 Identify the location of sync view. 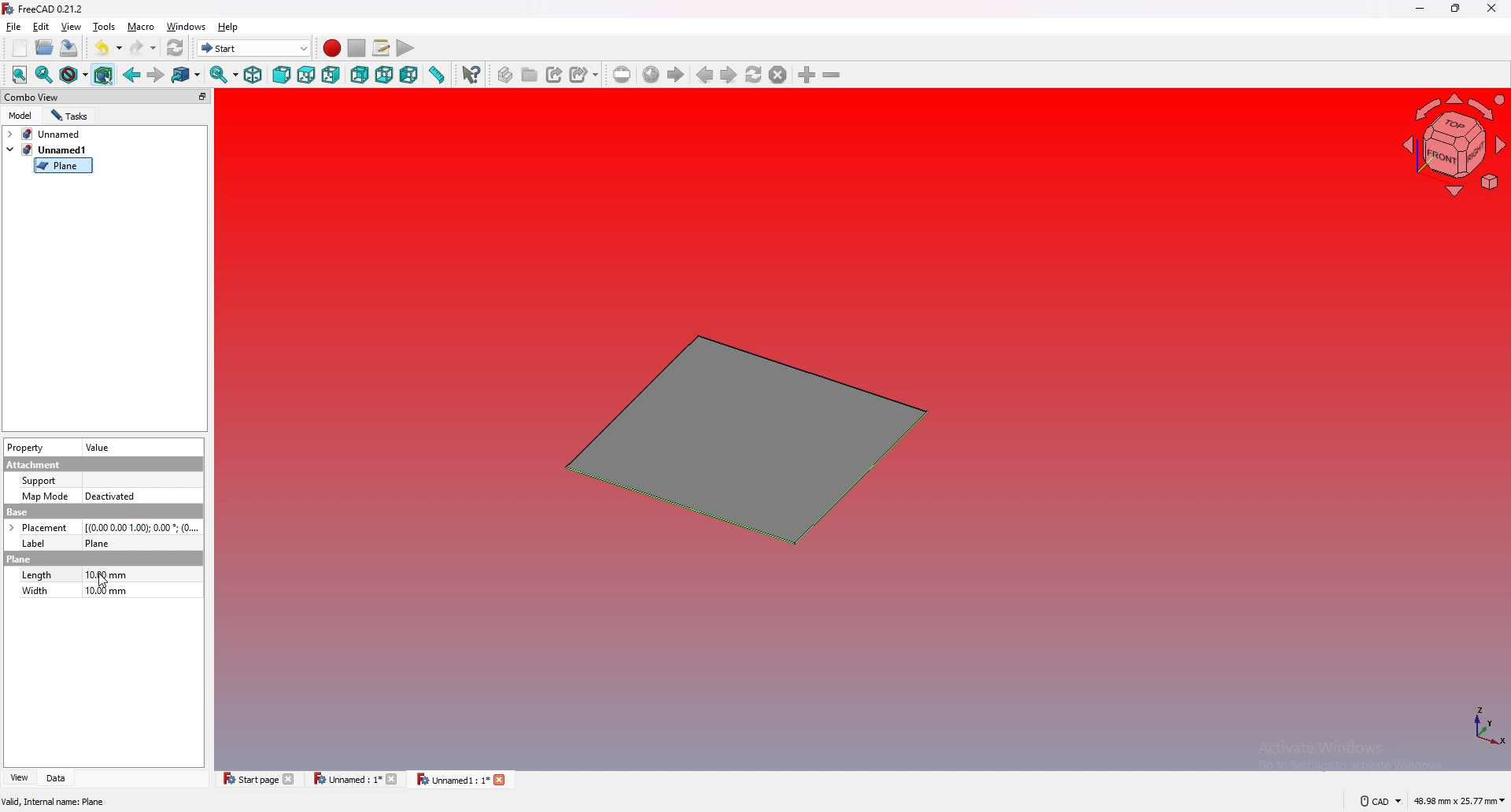
(224, 74).